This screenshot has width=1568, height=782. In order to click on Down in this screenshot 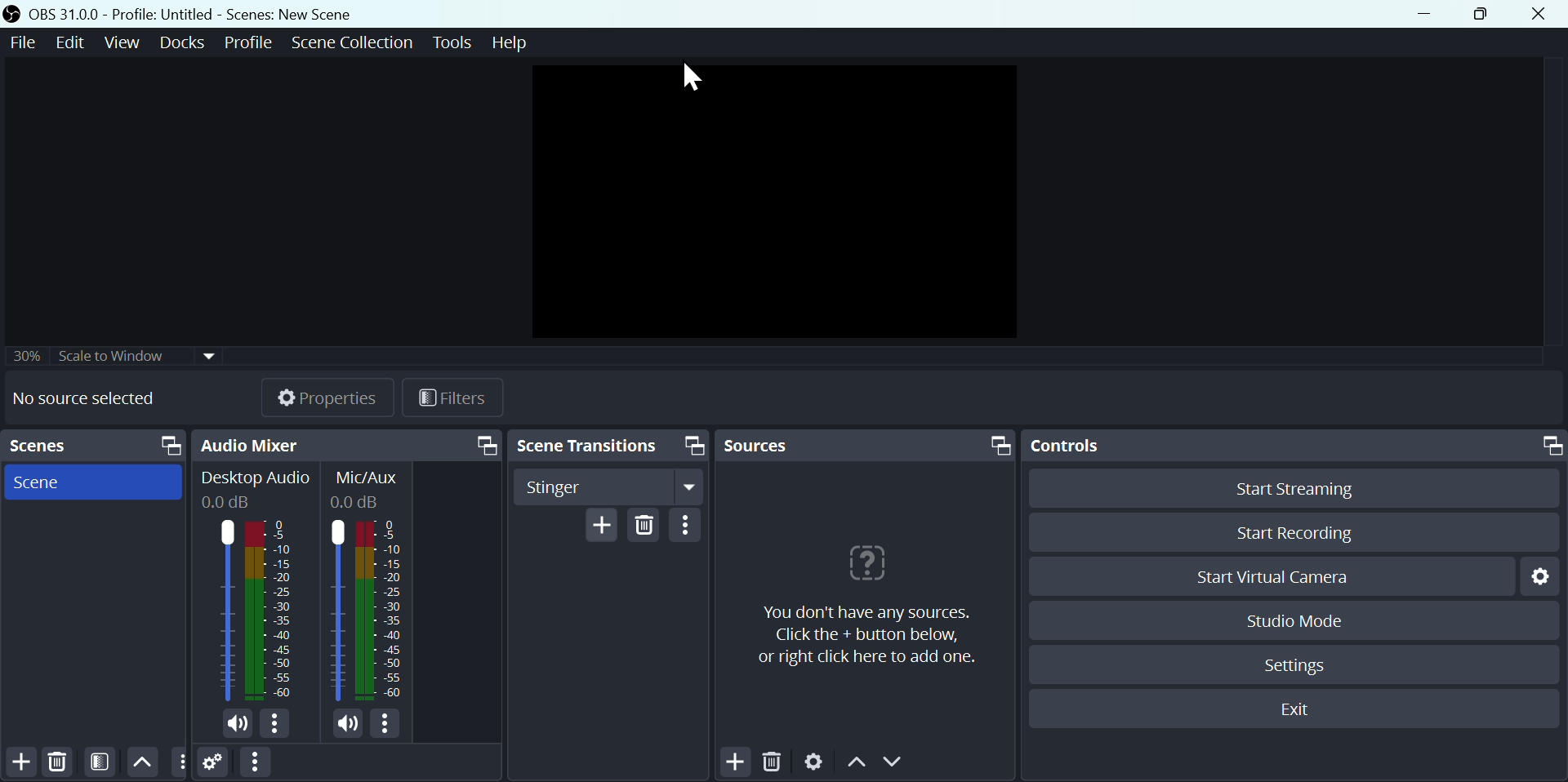, I will do `click(899, 764)`.